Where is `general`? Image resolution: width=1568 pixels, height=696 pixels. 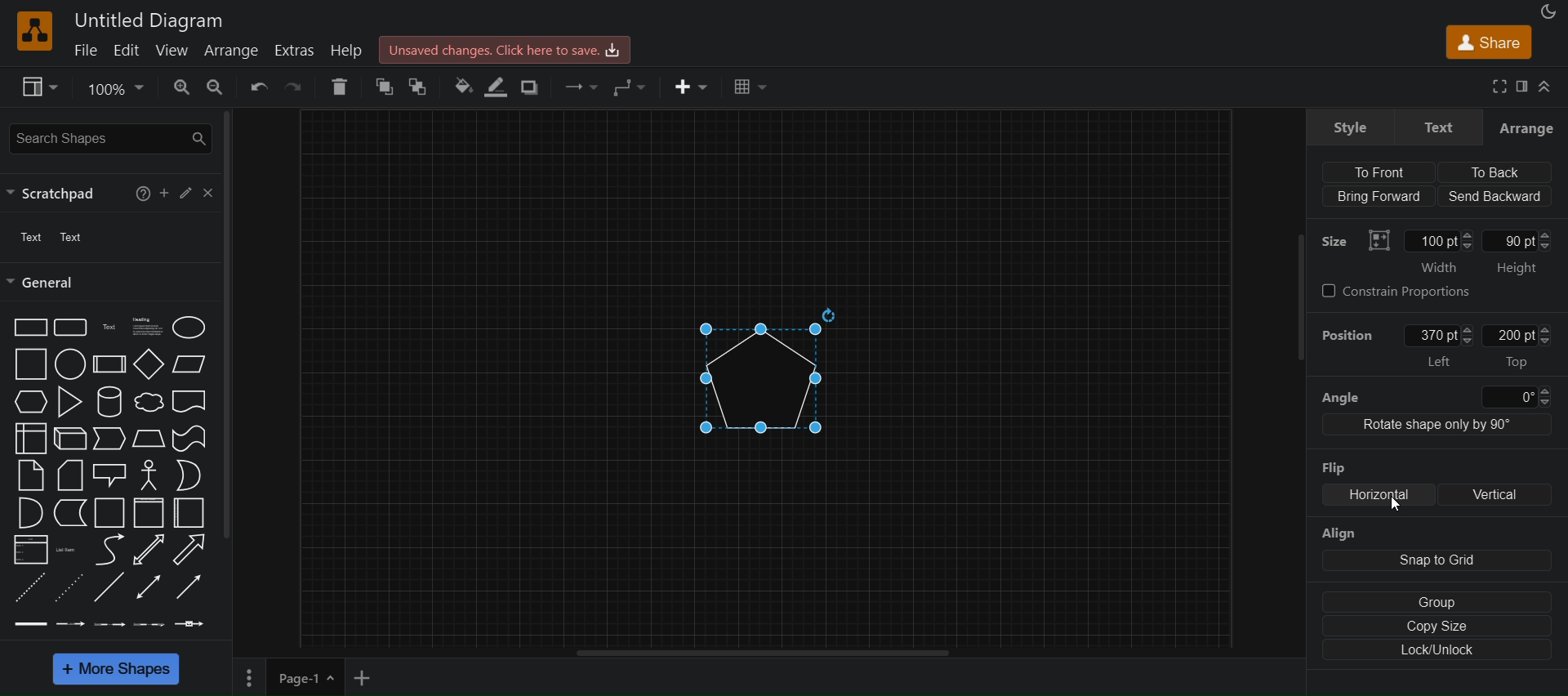
general is located at coordinates (44, 283).